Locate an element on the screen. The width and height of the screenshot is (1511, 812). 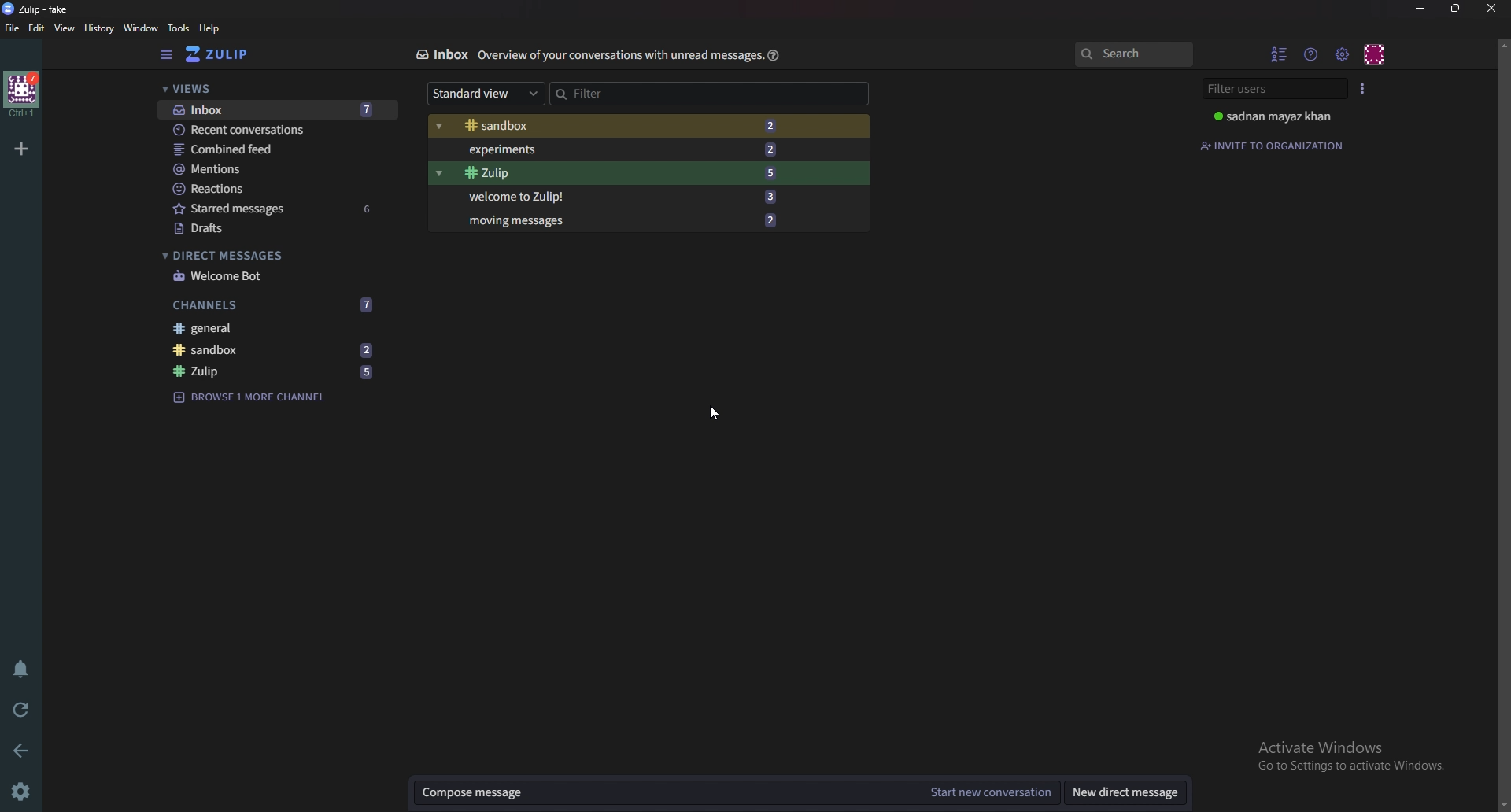
Reload is located at coordinates (24, 708).